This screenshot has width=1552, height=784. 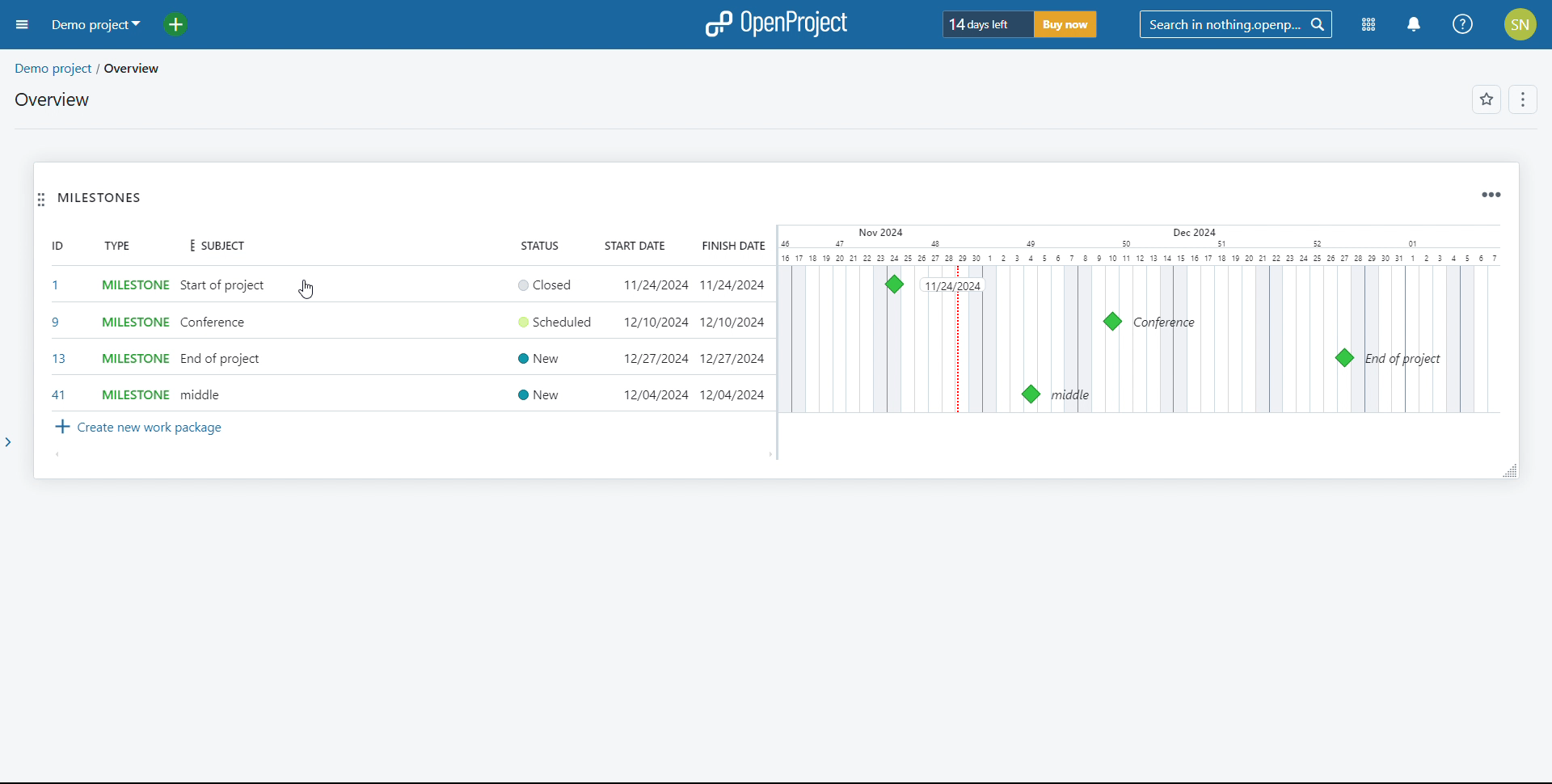 I want to click on id, so click(x=52, y=248).